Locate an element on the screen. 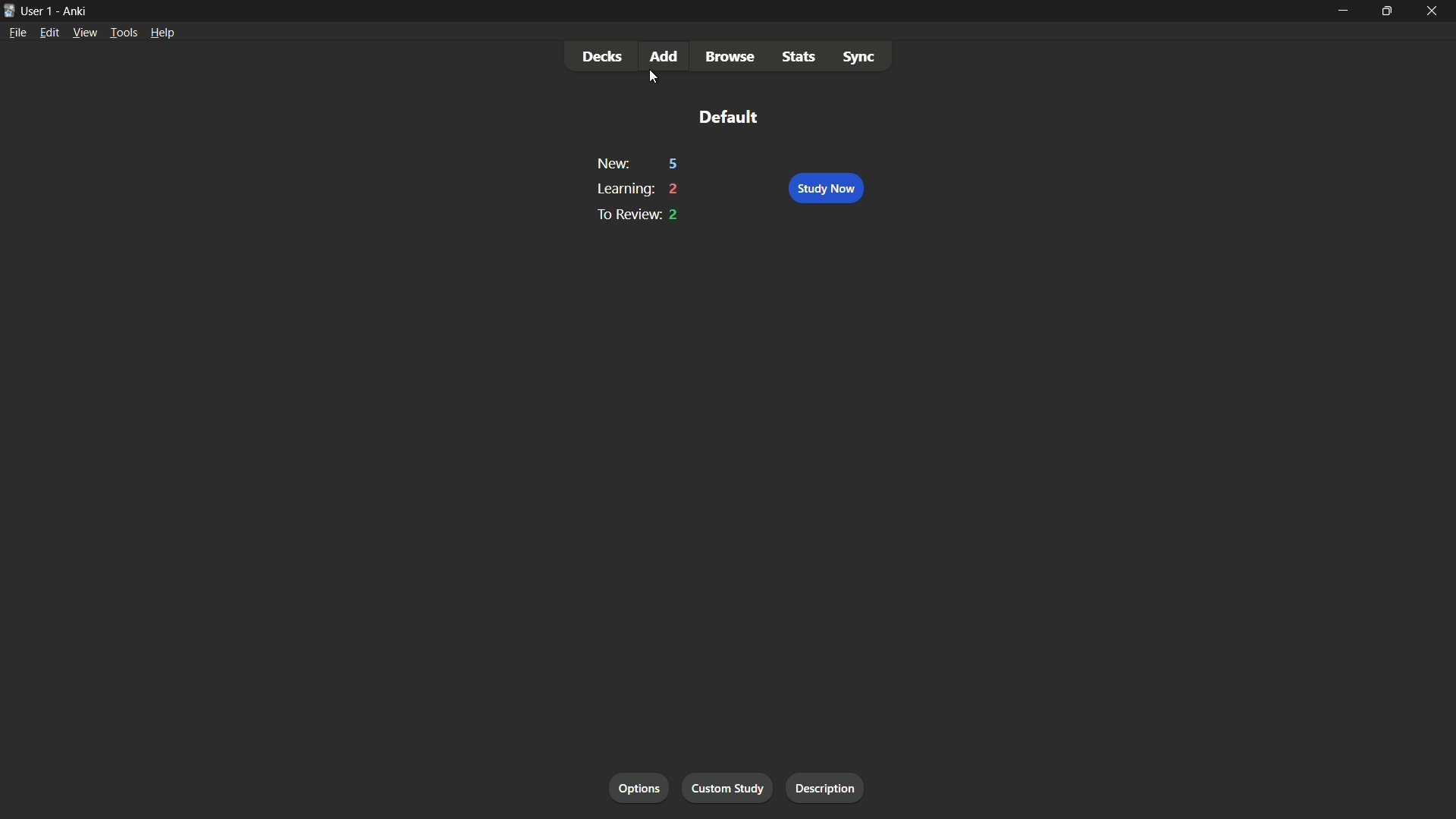 The height and width of the screenshot is (819, 1456). to review is located at coordinates (625, 215).